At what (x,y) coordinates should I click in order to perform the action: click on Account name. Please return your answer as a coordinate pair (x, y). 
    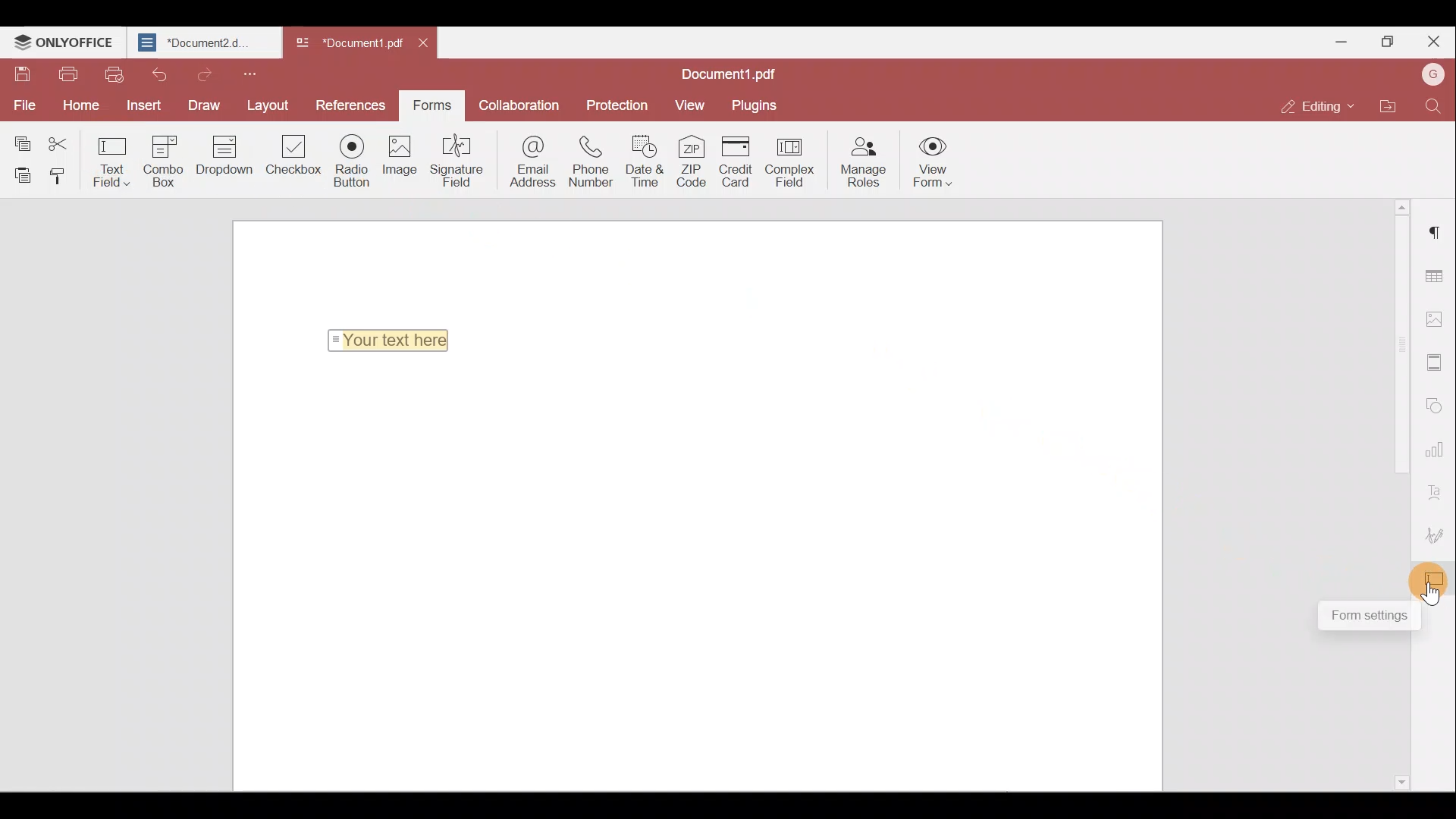
    Looking at the image, I should click on (1432, 74).